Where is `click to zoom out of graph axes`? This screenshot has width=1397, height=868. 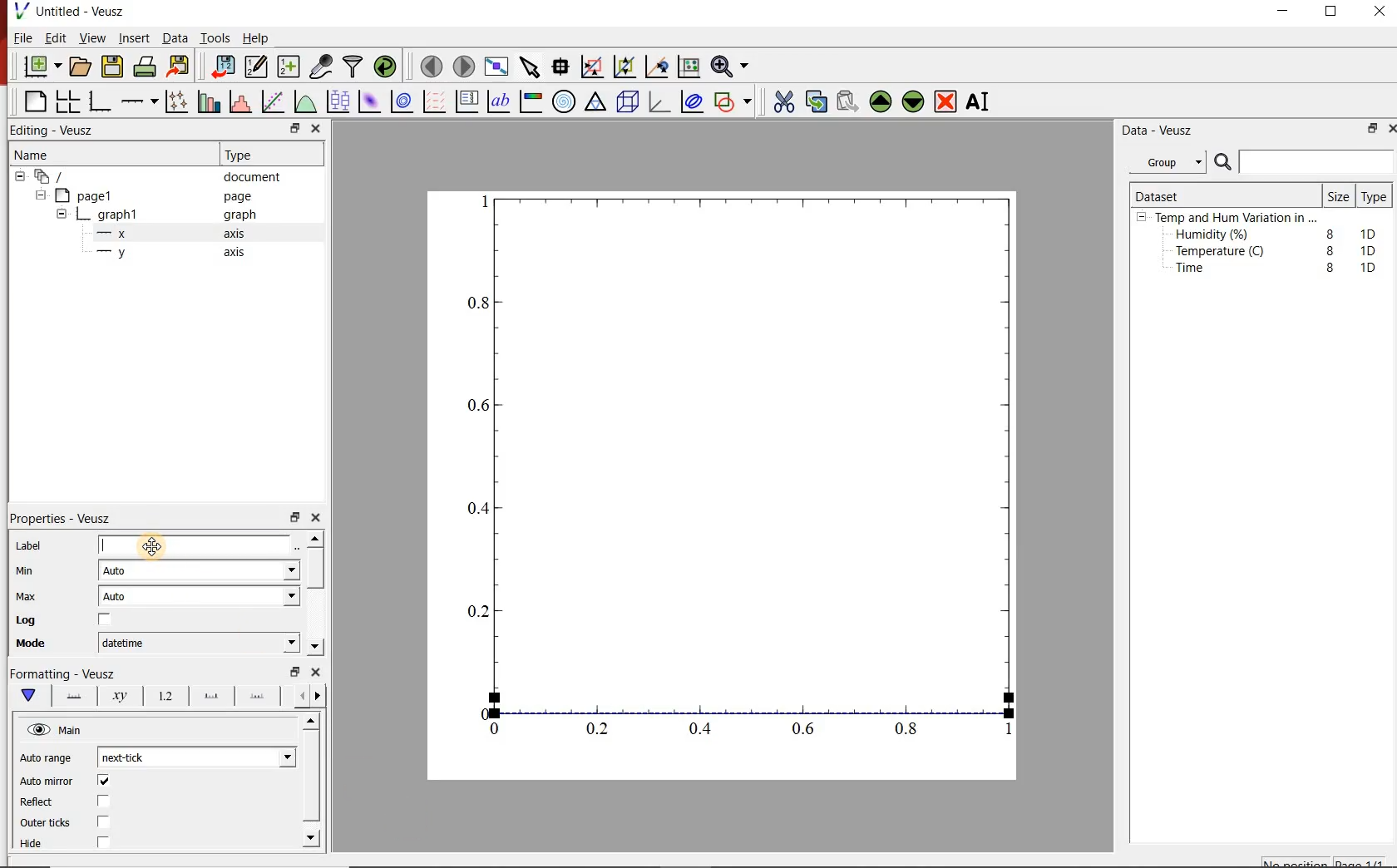
click to zoom out of graph axes is located at coordinates (625, 68).